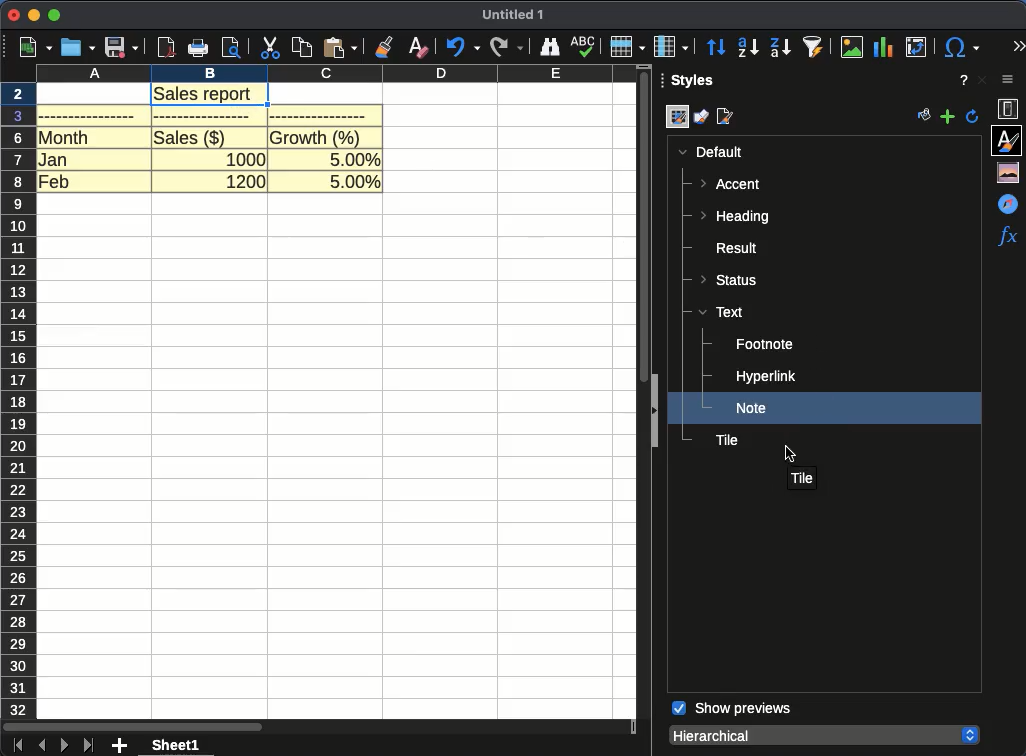 This screenshot has height=756, width=1026. Describe the element at coordinates (90, 745) in the screenshot. I see `last sheet` at that location.